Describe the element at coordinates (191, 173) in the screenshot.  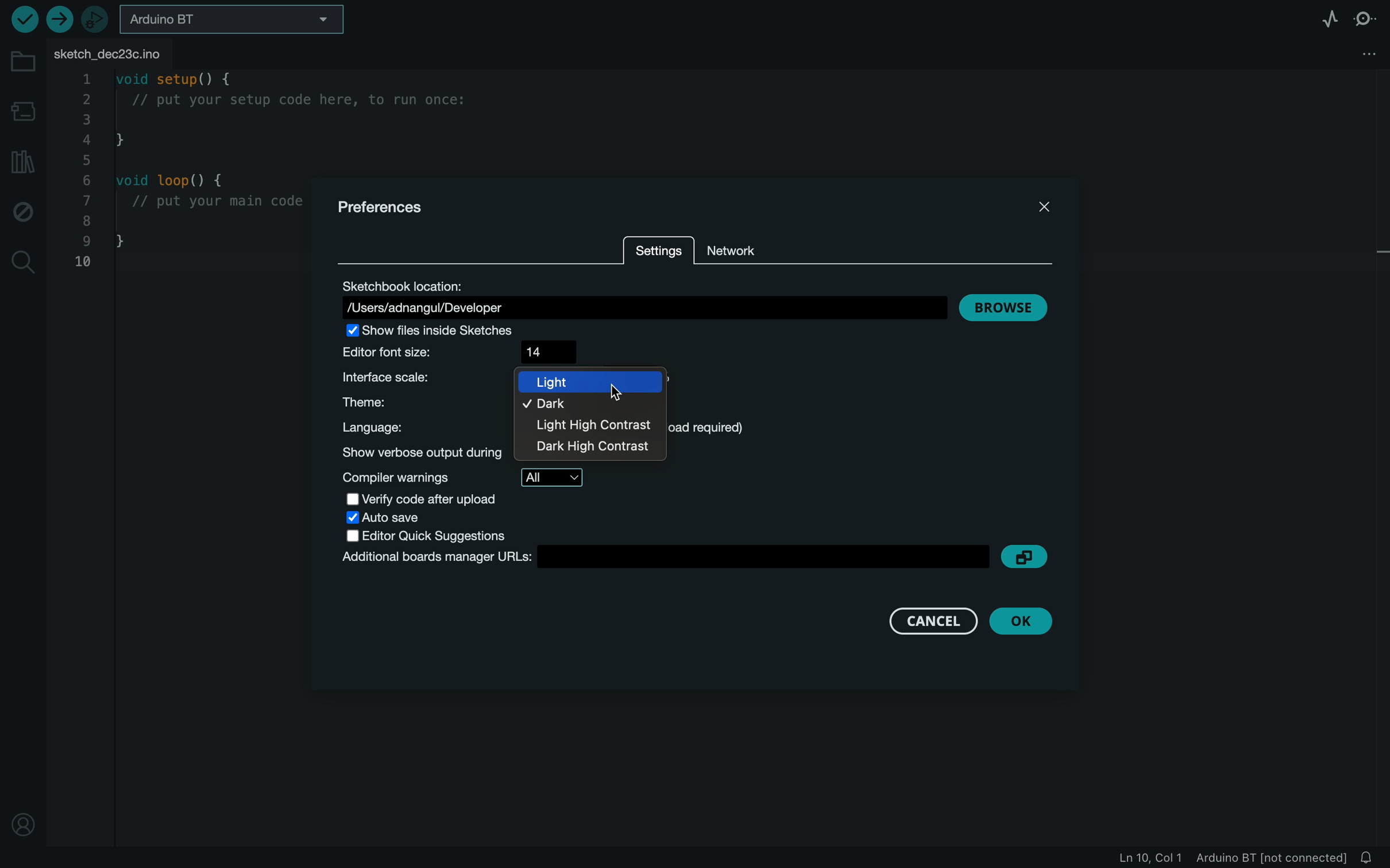
I see `code` at that location.